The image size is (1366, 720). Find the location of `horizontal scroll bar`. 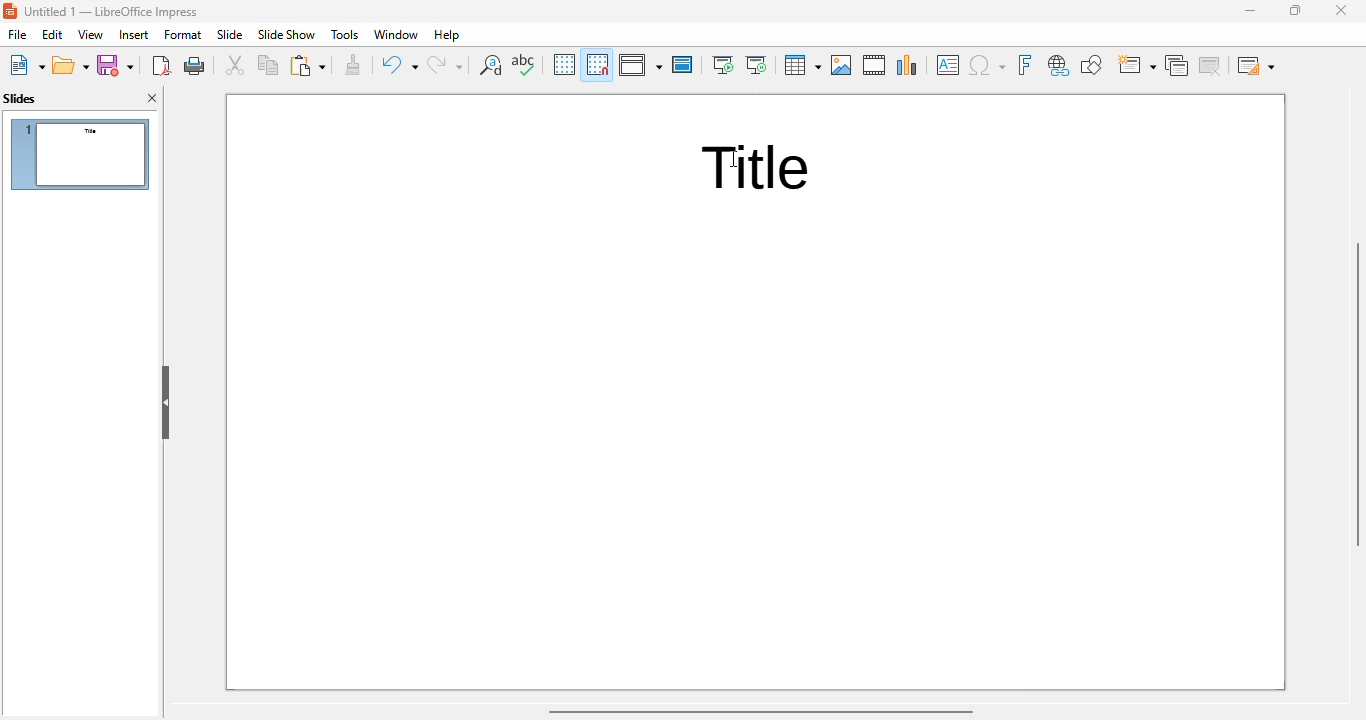

horizontal scroll bar is located at coordinates (761, 711).